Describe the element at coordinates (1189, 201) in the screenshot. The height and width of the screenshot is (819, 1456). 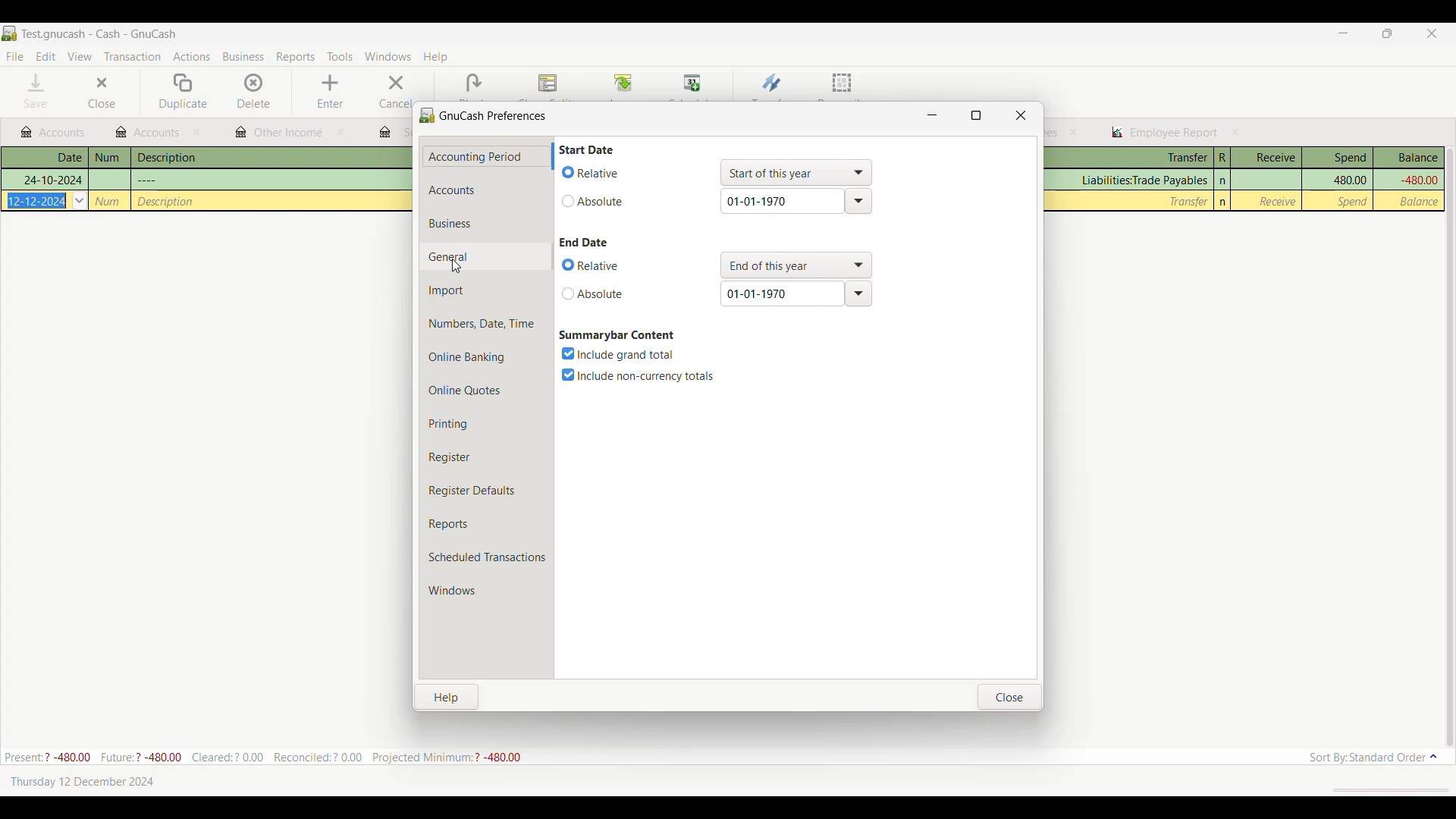
I see `Transfer column` at that location.